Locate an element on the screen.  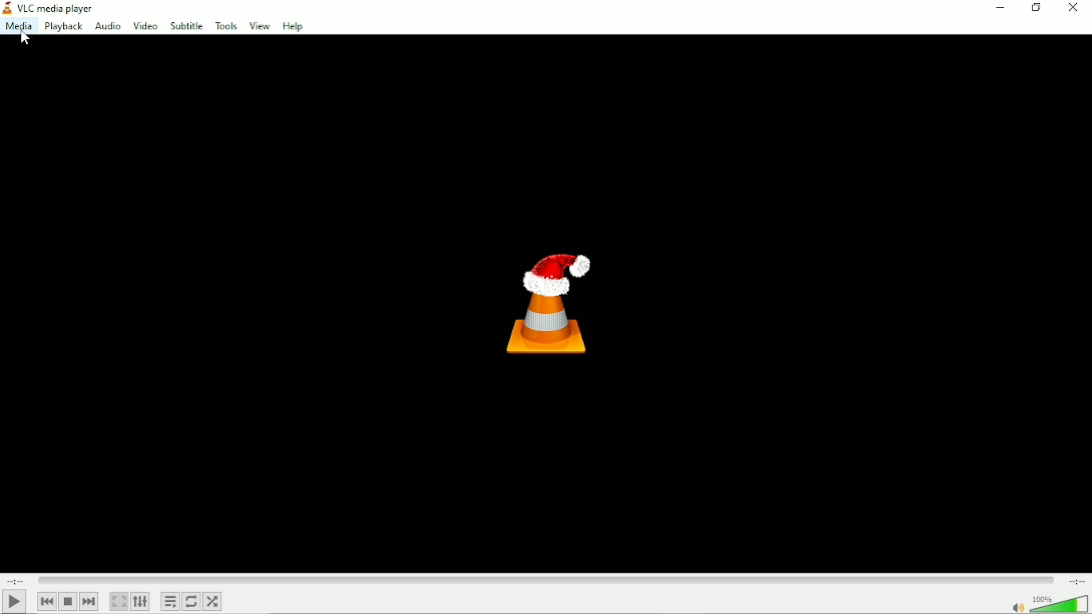
Toggle playlist is located at coordinates (169, 602).